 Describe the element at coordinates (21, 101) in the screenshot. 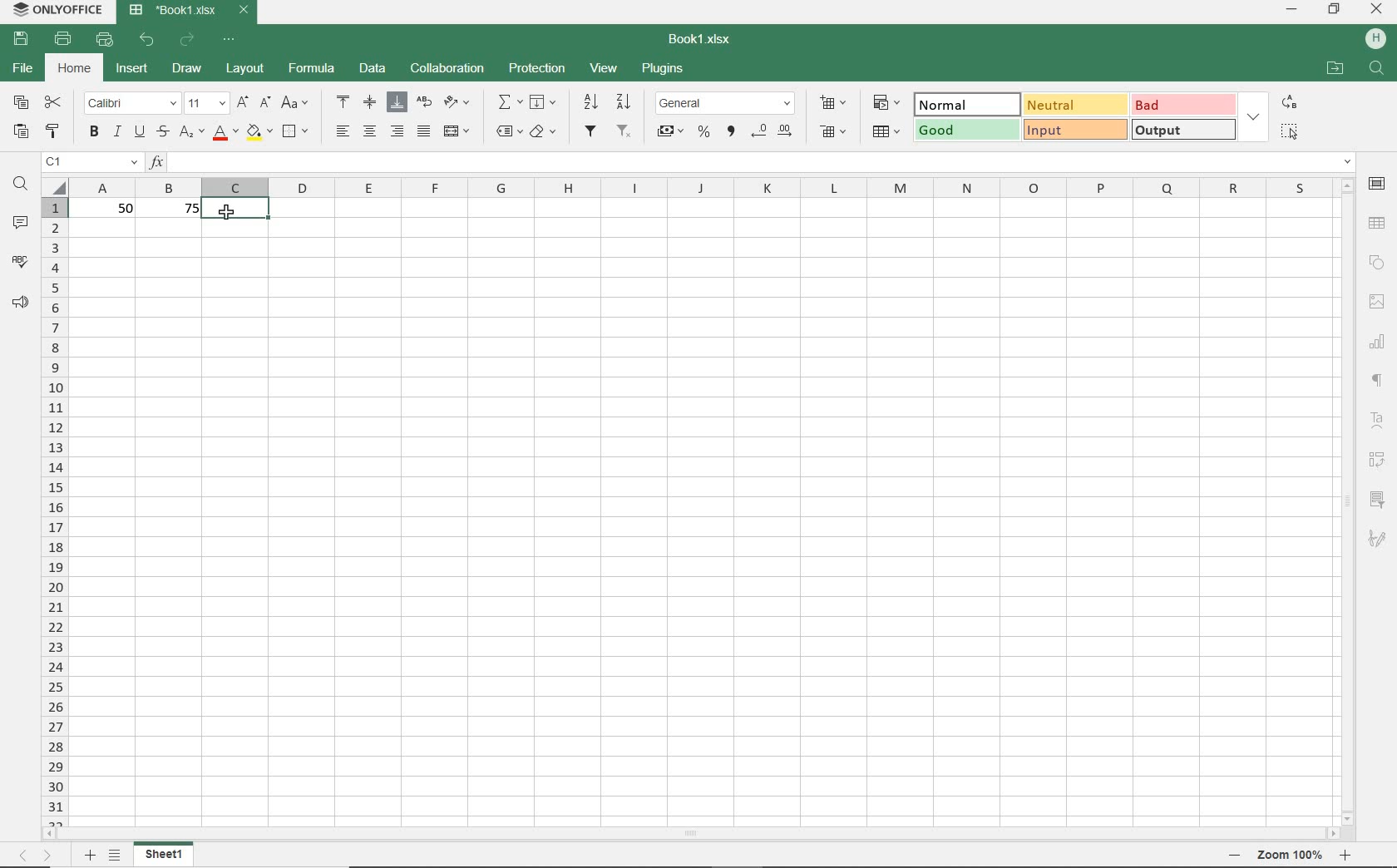

I see `copy` at that location.